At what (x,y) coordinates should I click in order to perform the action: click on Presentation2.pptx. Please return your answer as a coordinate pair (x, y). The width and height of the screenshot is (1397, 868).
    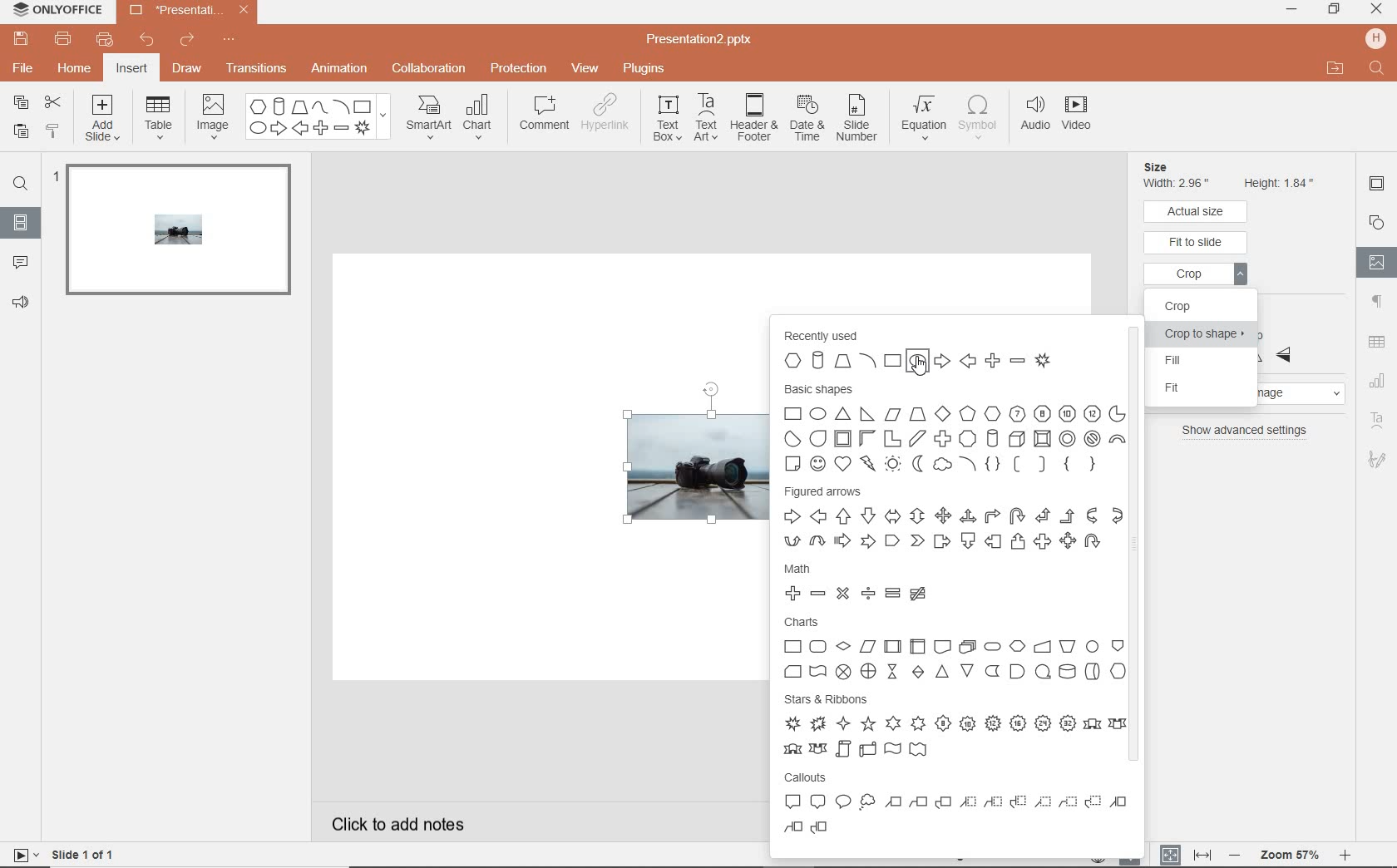
    Looking at the image, I should click on (185, 12).